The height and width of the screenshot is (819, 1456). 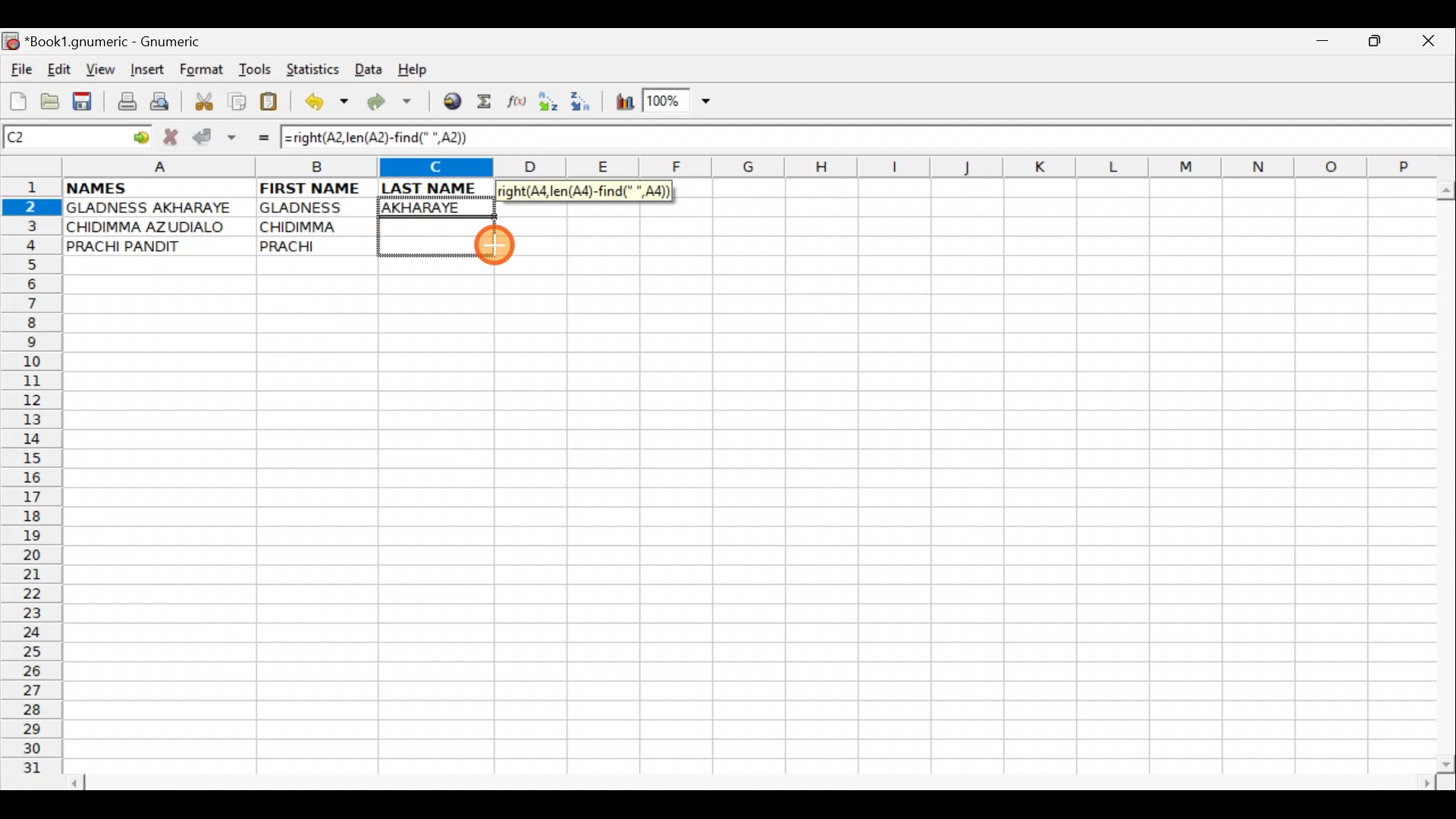 I want to click on Print preview, so click(x=160, y=105).